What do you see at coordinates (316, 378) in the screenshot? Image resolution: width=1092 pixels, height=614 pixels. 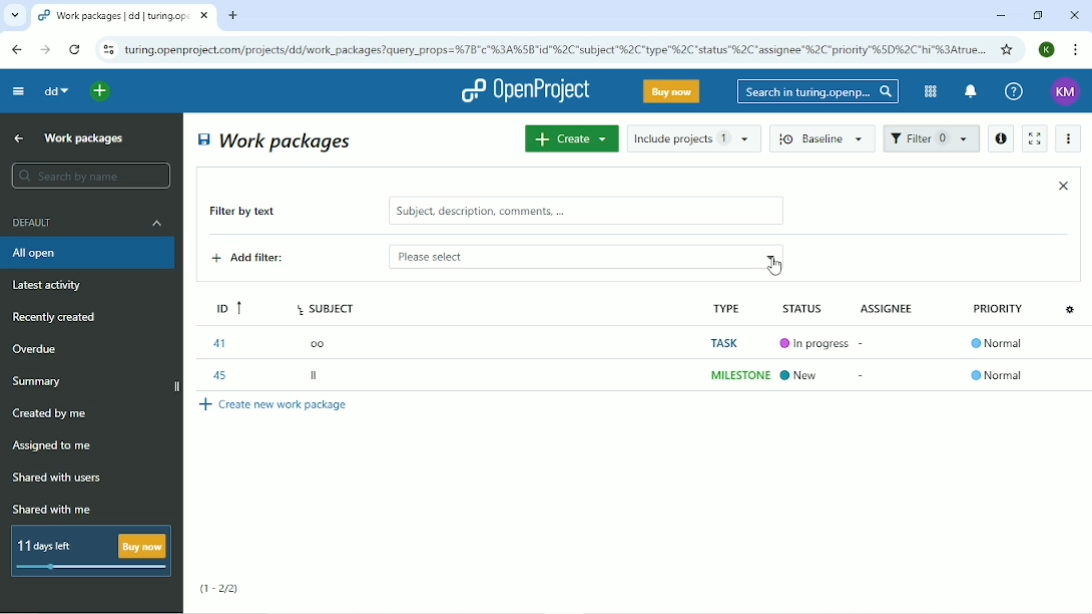 I see `ll` at bounding box center [316, 378].